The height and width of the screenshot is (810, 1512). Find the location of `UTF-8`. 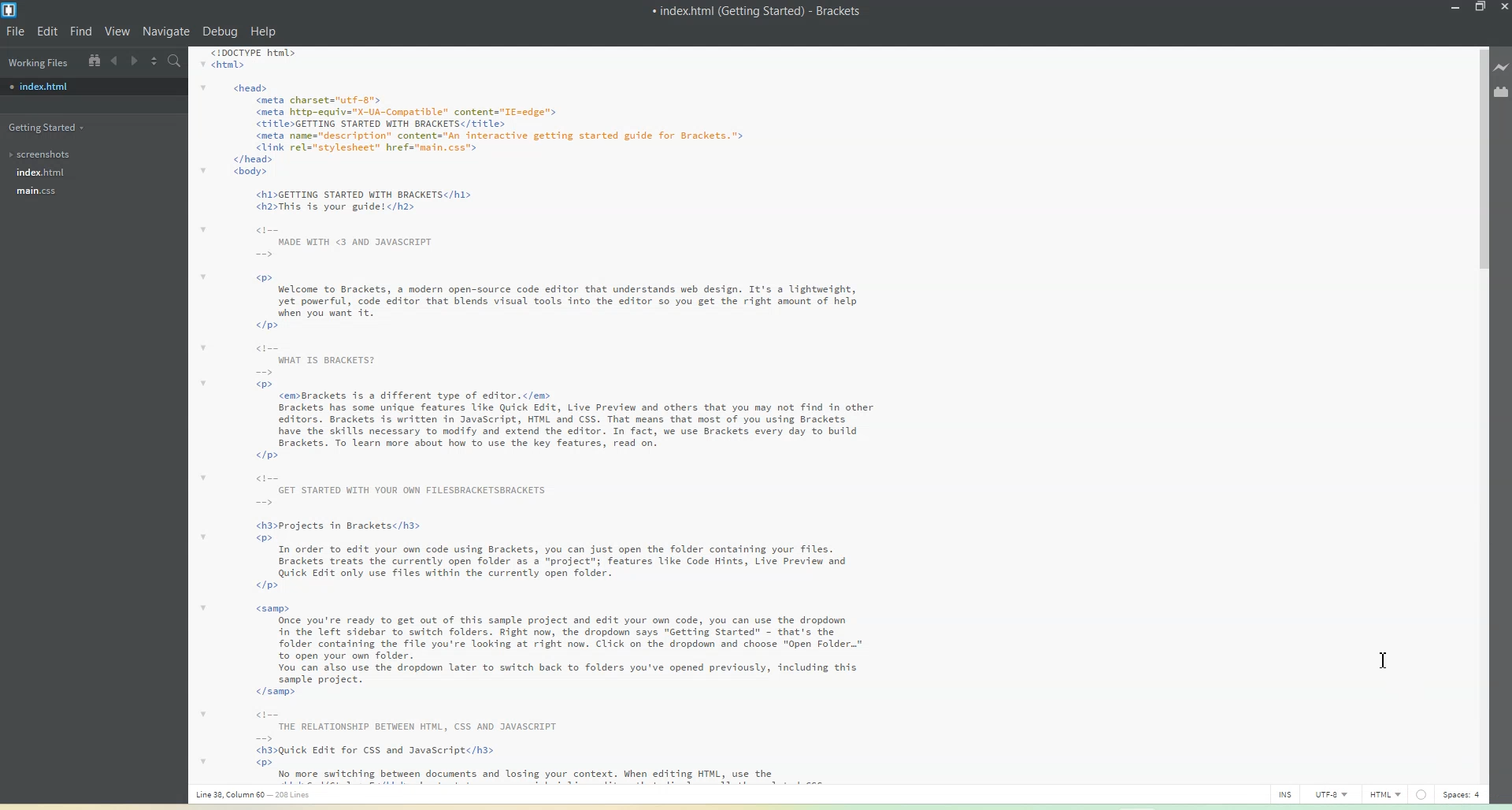

UTF-8 is located at coordinates (1326, 793).